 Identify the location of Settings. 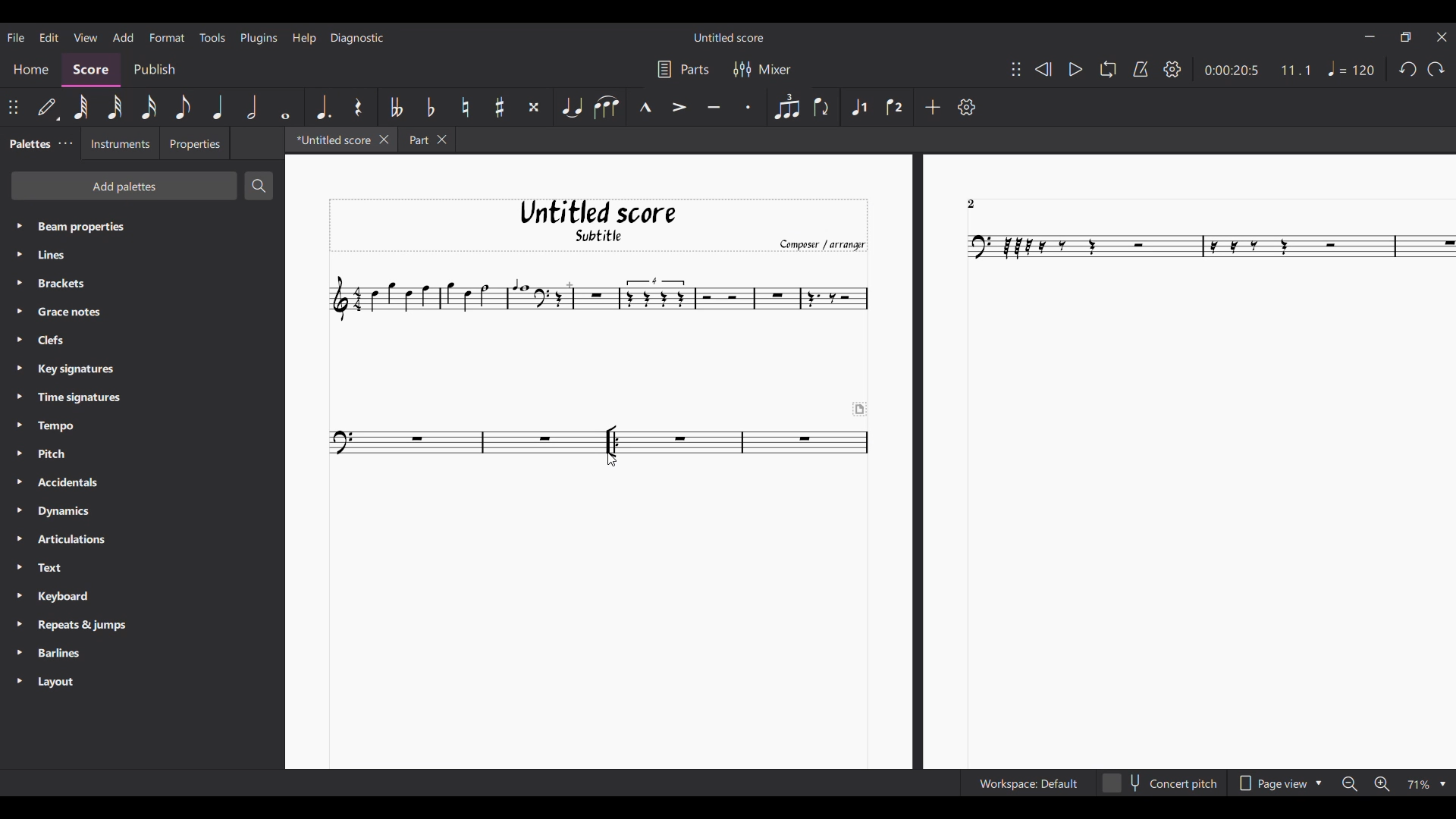
(1173, 69).